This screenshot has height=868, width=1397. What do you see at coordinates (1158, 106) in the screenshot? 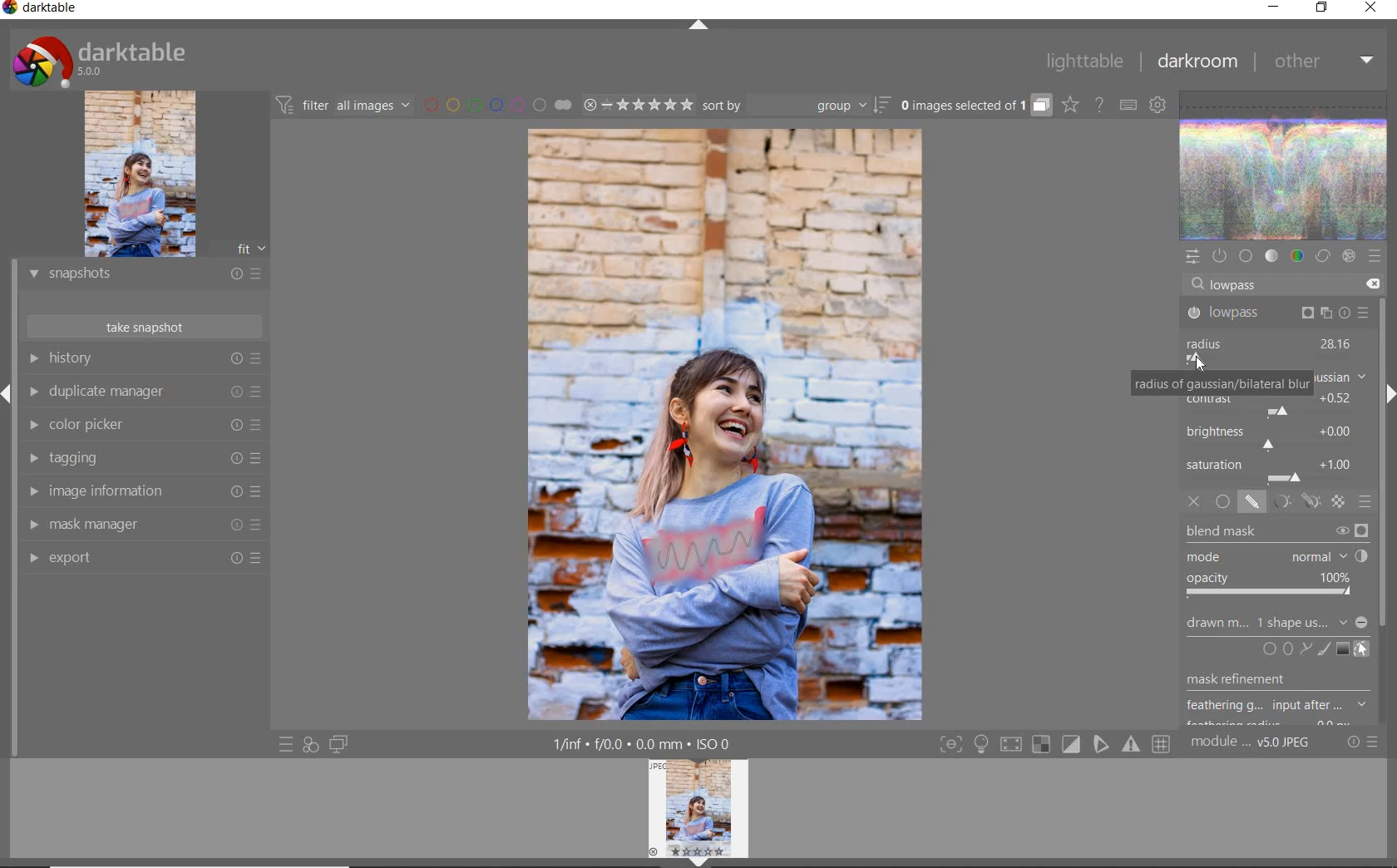
I see `show global preferences` at bounding box center [1158, 106].